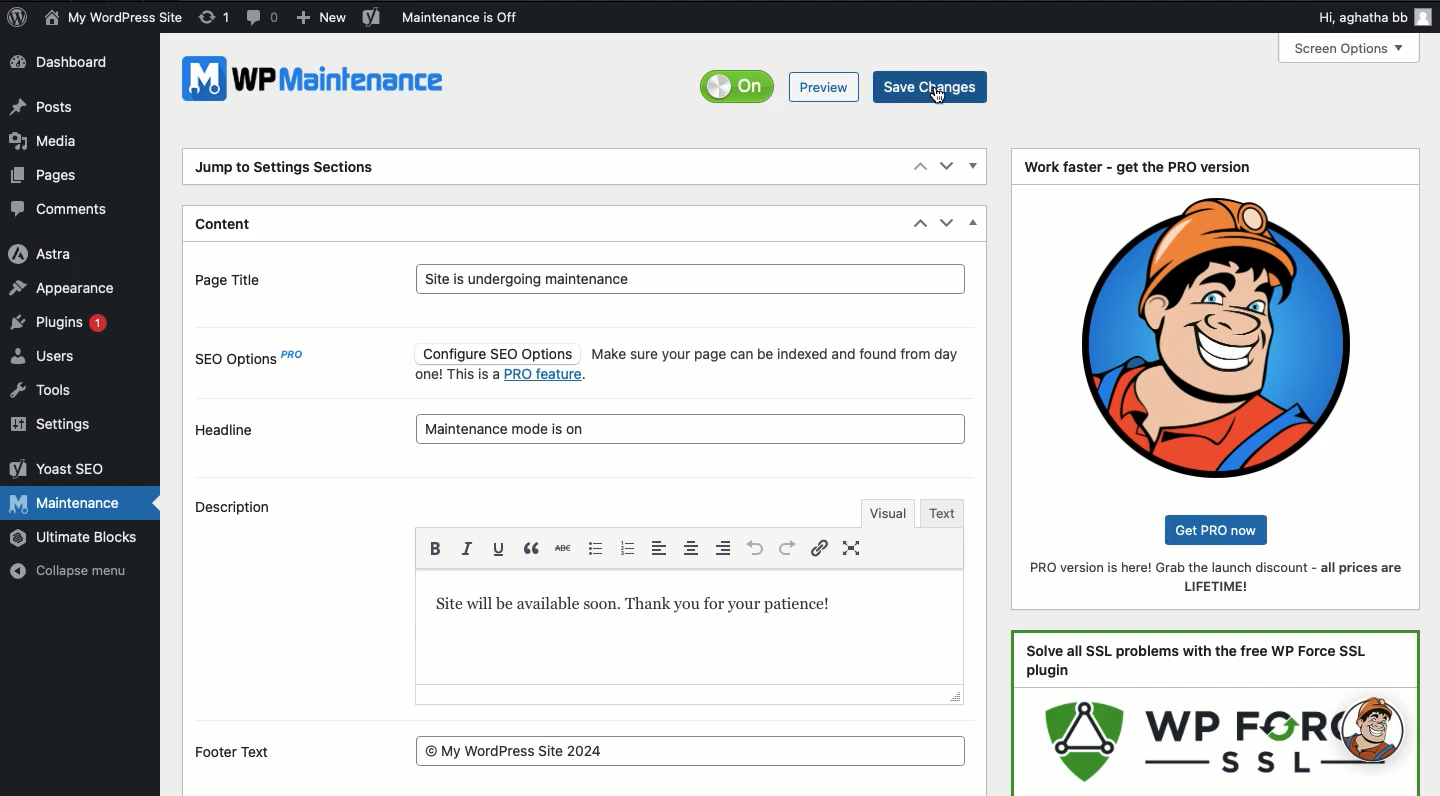  Describe the element at coordinates (56, 425) in the screenshot. I see `Settings` at that location.